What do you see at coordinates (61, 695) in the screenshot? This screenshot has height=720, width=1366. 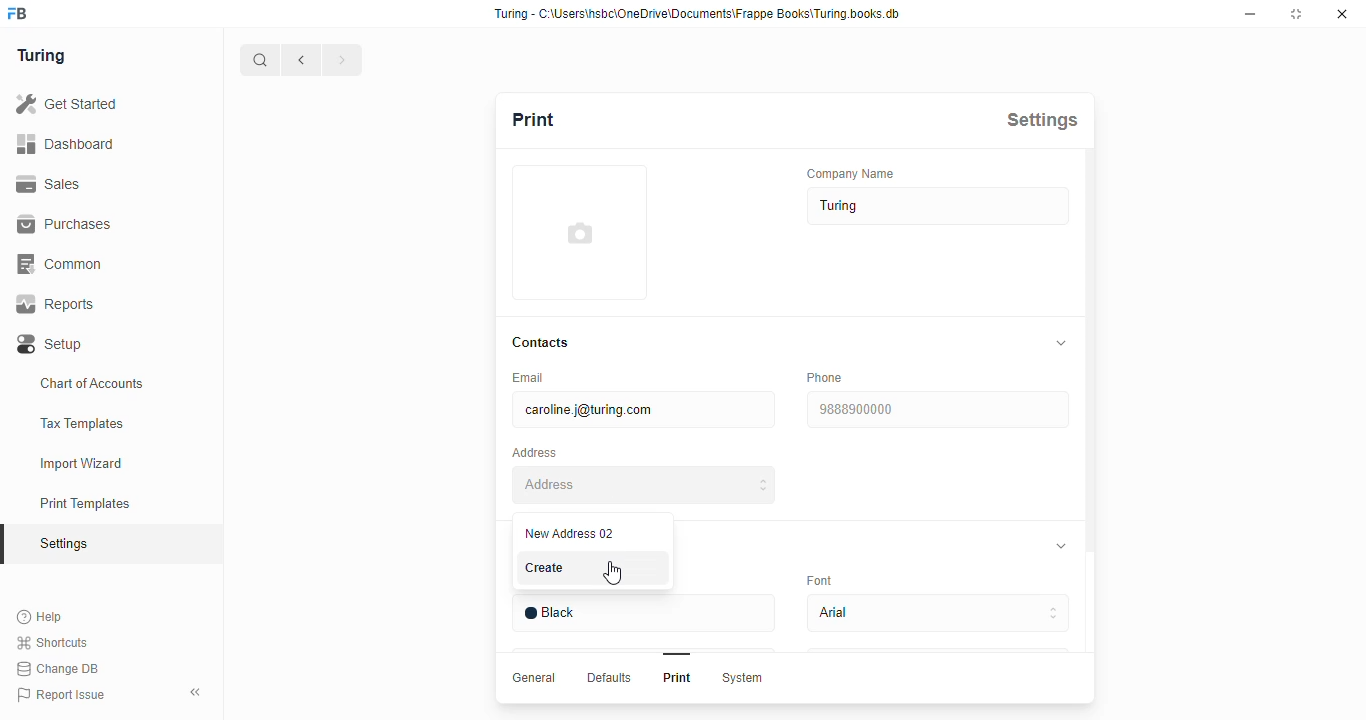 I see `report issue` at bounding box center [61, 695].